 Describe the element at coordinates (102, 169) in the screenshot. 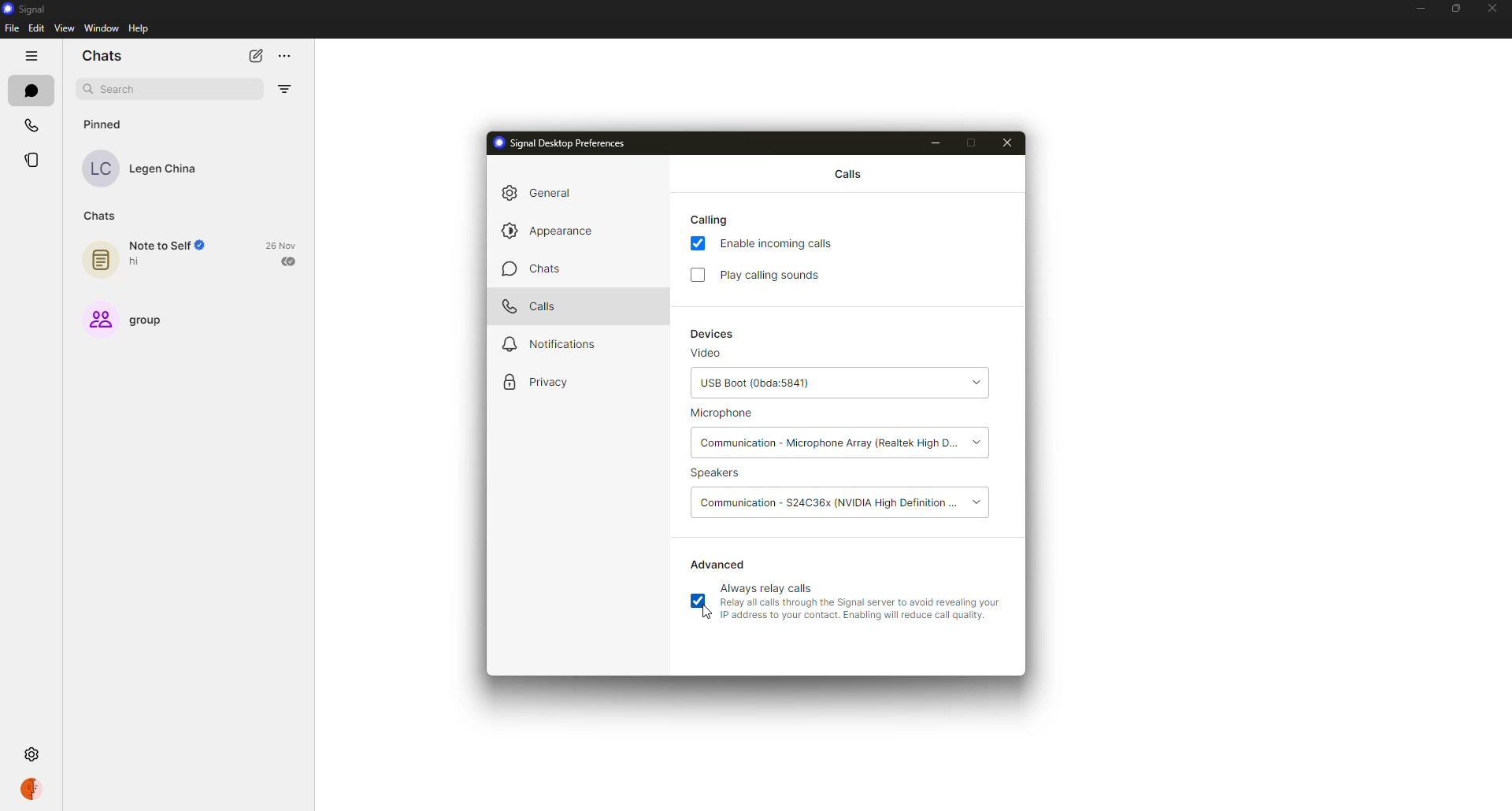

I see `LC` at that location.